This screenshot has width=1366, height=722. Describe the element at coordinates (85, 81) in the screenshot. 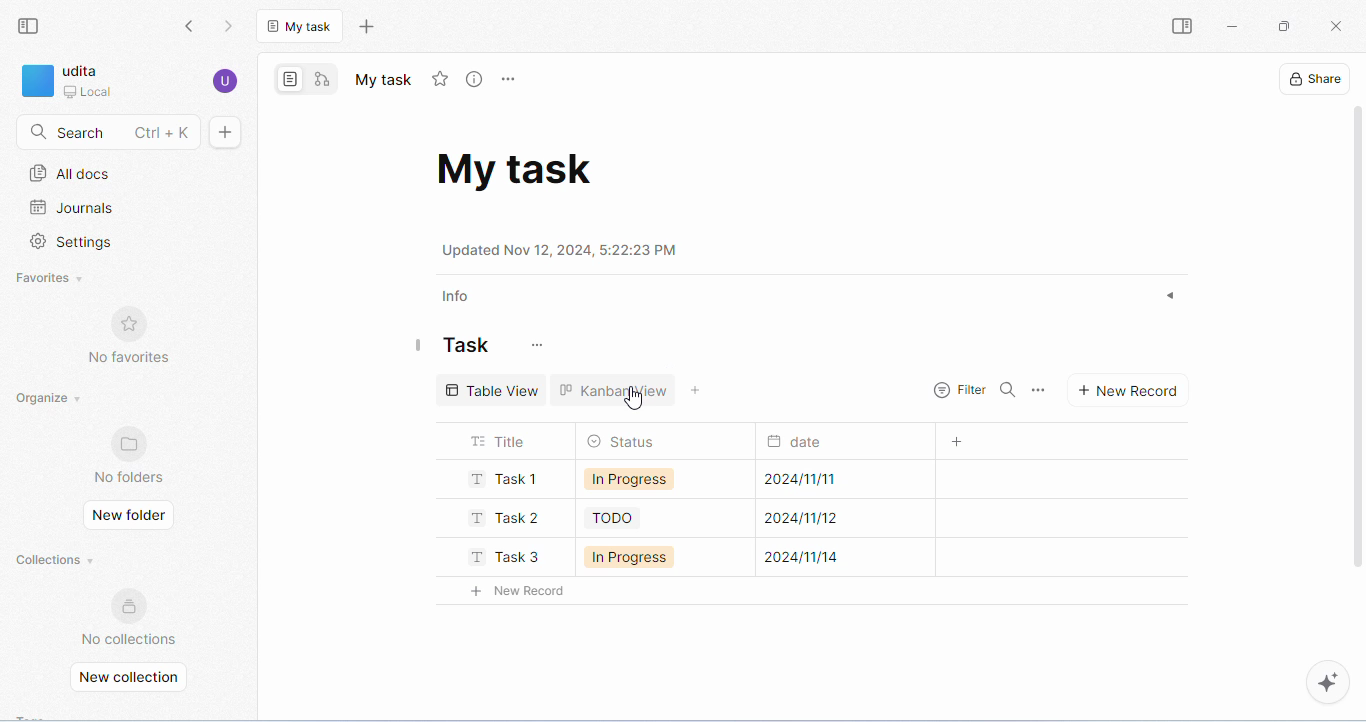

I see `workspace` at that location.